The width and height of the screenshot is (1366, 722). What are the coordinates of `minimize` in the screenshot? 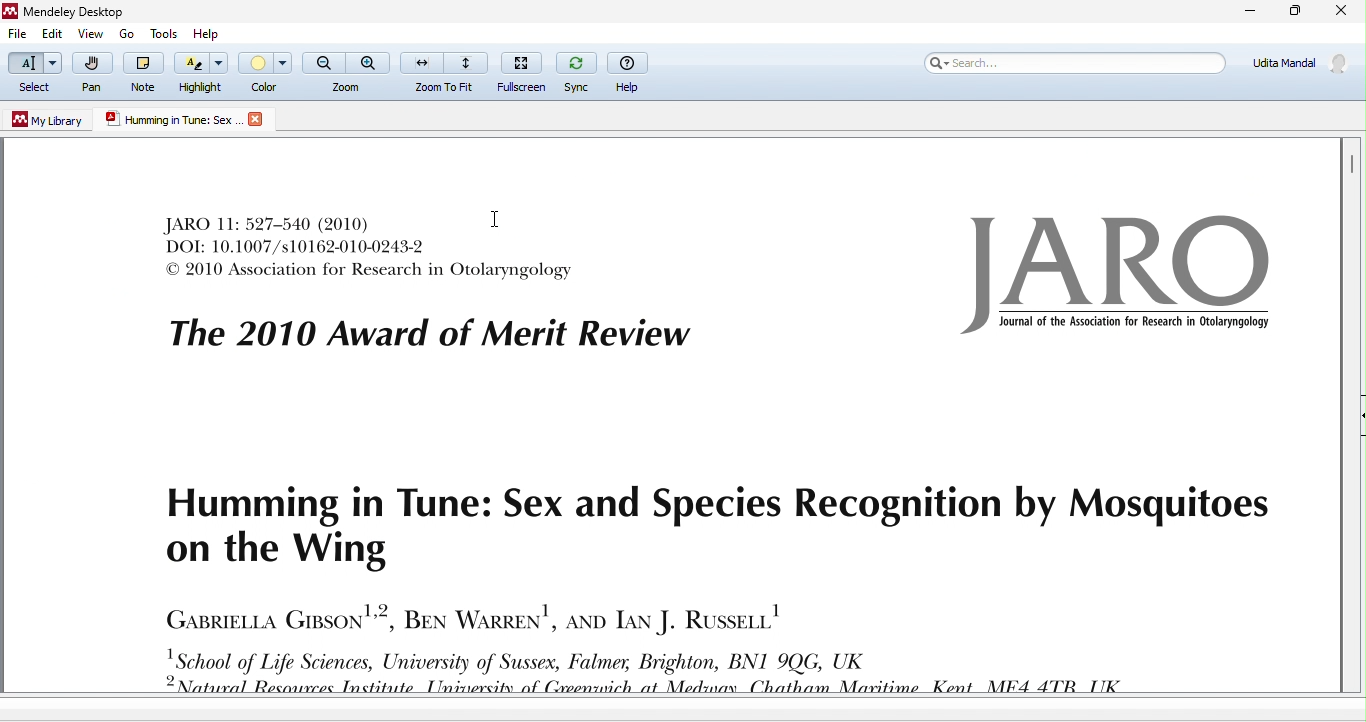 It's located at (1250, 12).